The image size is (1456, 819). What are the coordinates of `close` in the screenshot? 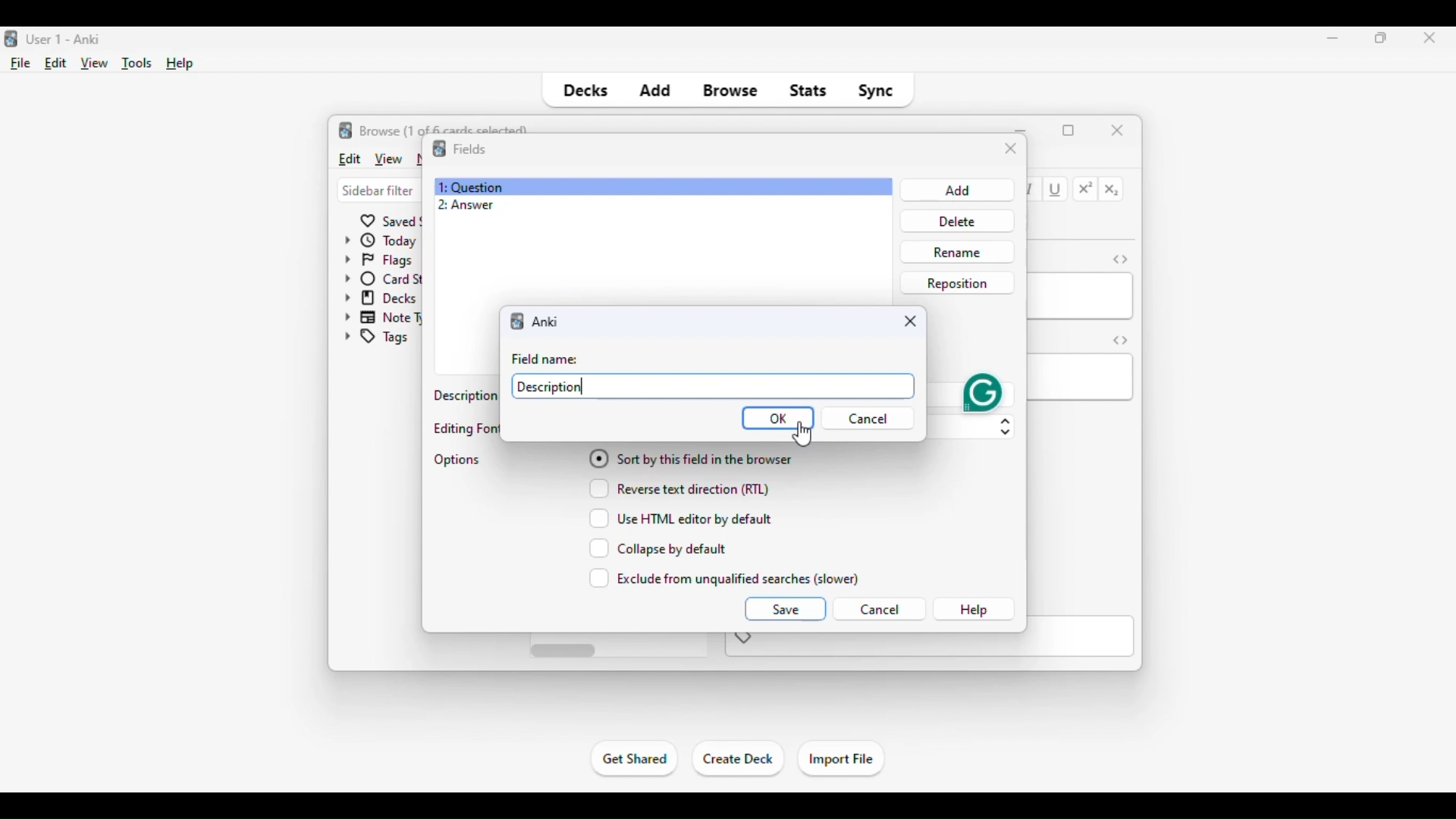 It's located at (911, 321).